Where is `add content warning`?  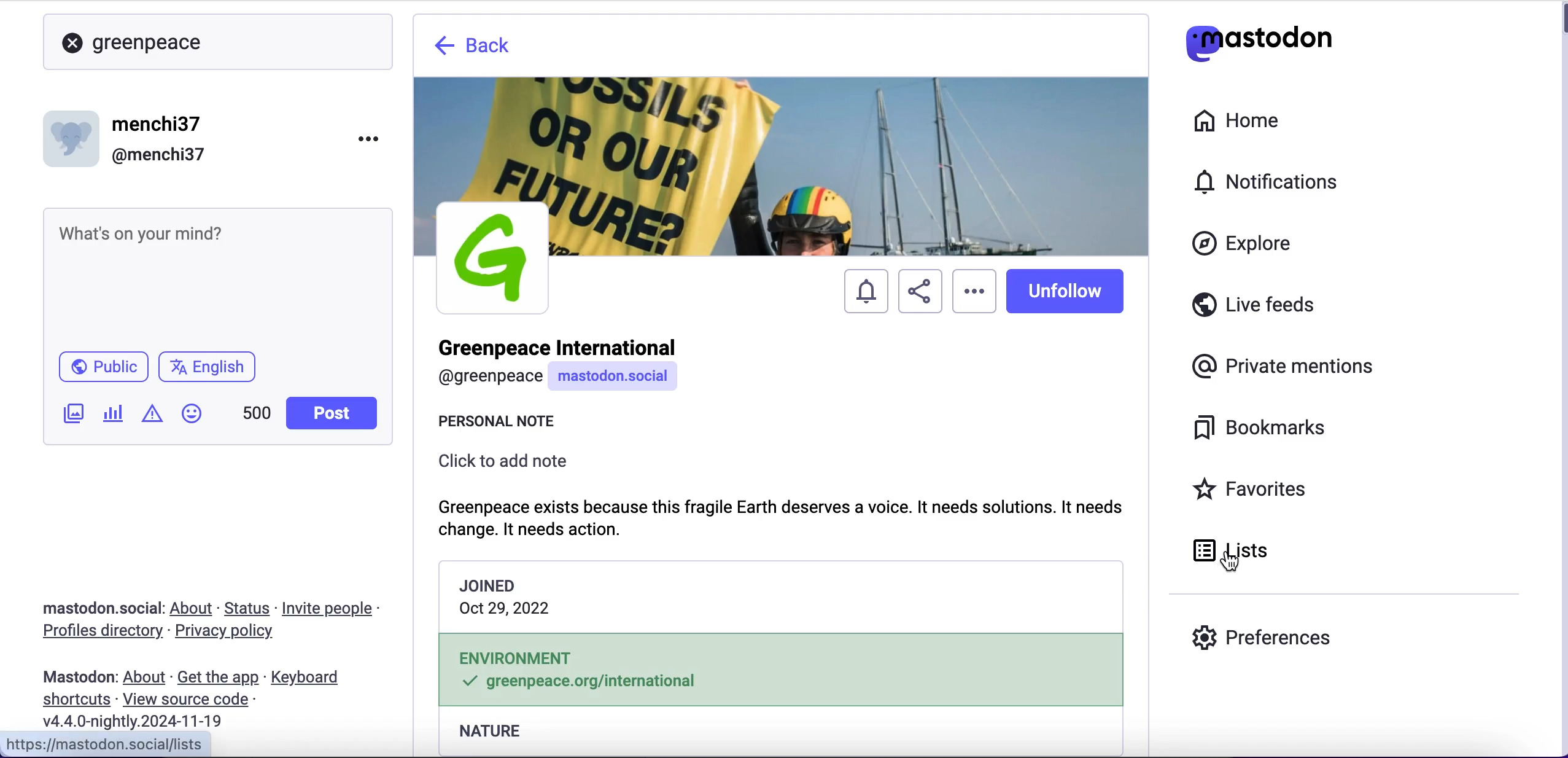
add content warning is located at coordinates (155, 415).